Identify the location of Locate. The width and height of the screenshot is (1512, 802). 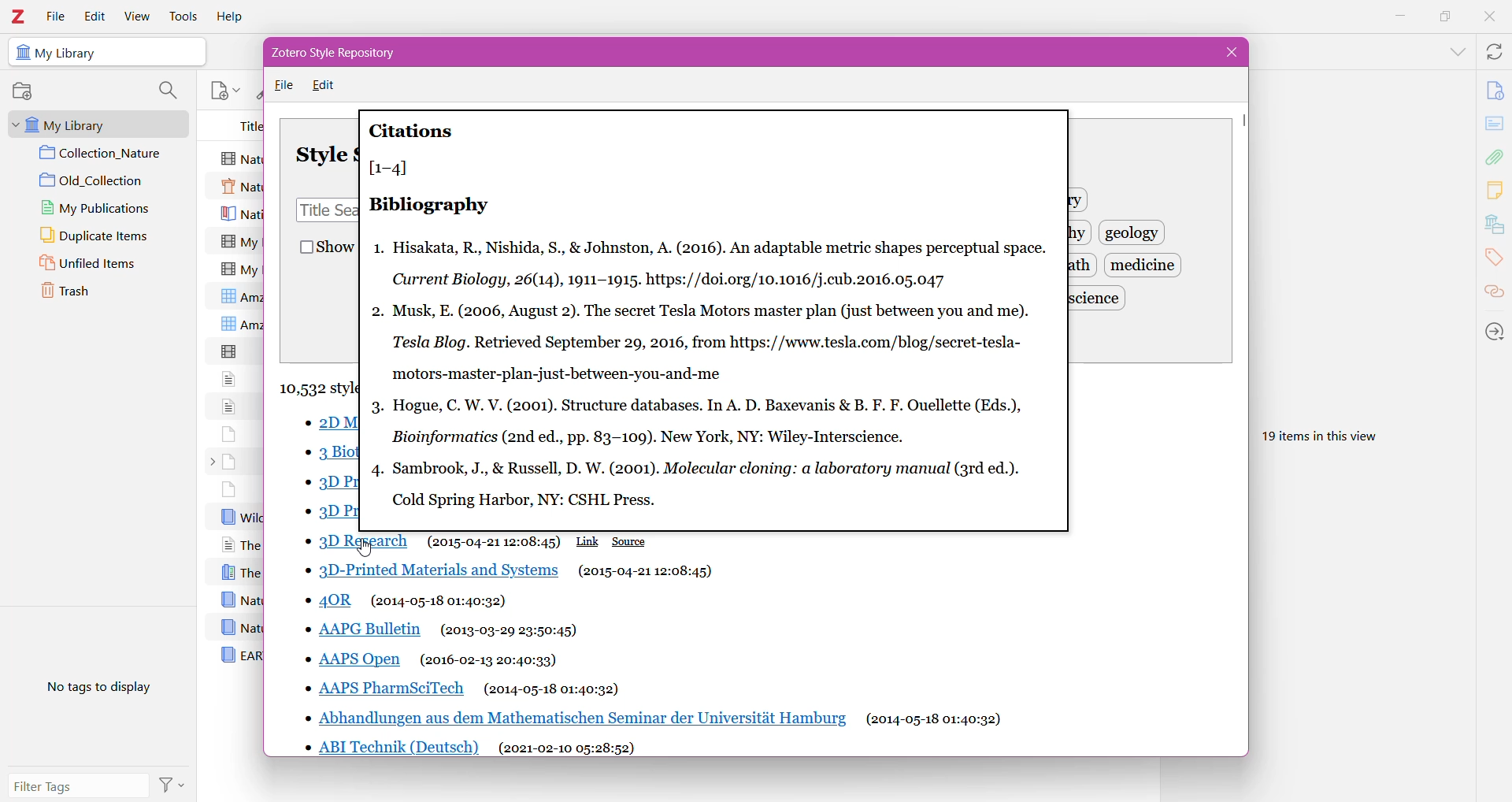
(1494, 330).